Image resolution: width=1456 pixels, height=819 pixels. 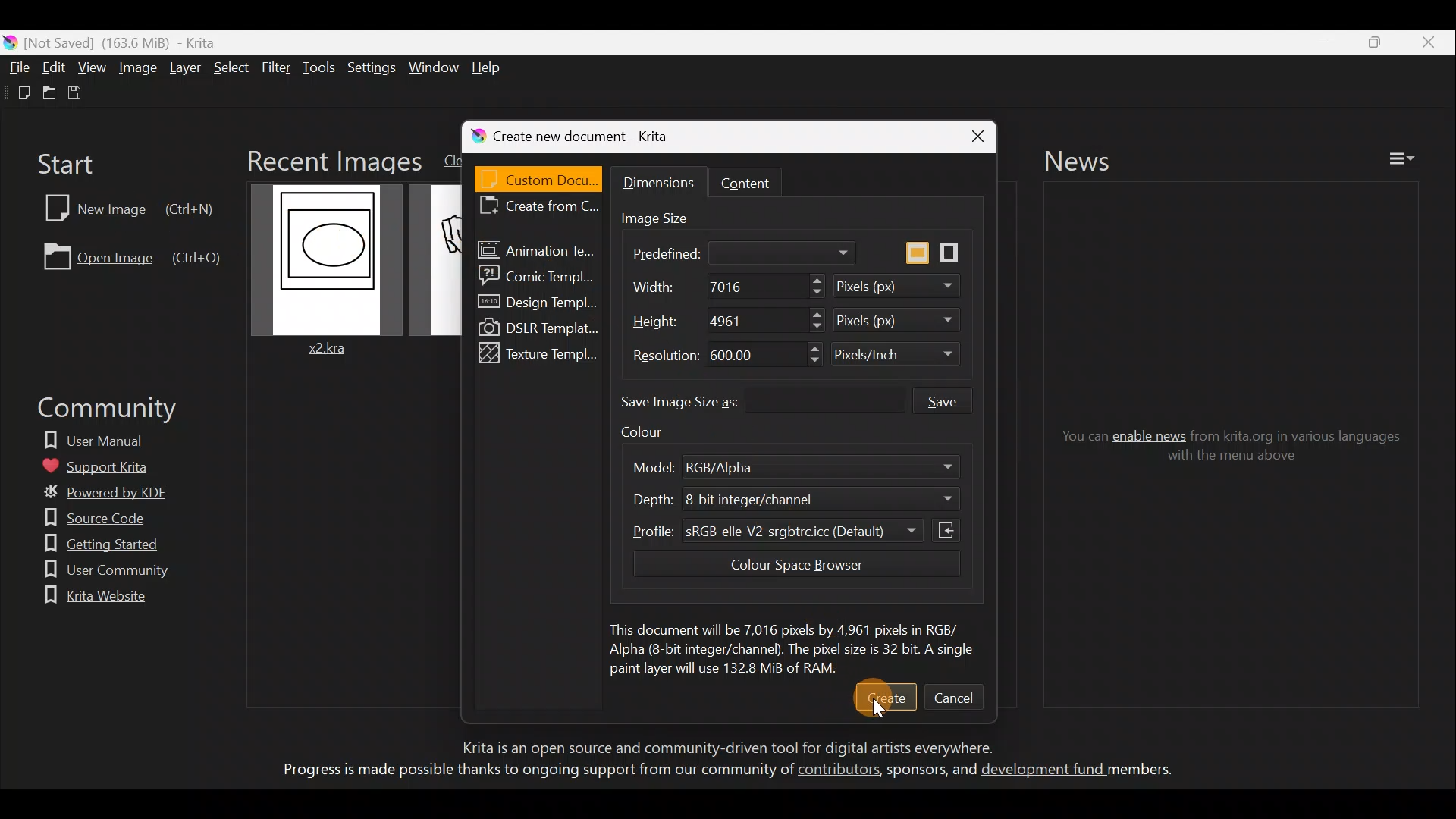 What do you see at coordinates (469, 136) in the screenshot?
I see `Krita logo` at bounding box center [469, 136].